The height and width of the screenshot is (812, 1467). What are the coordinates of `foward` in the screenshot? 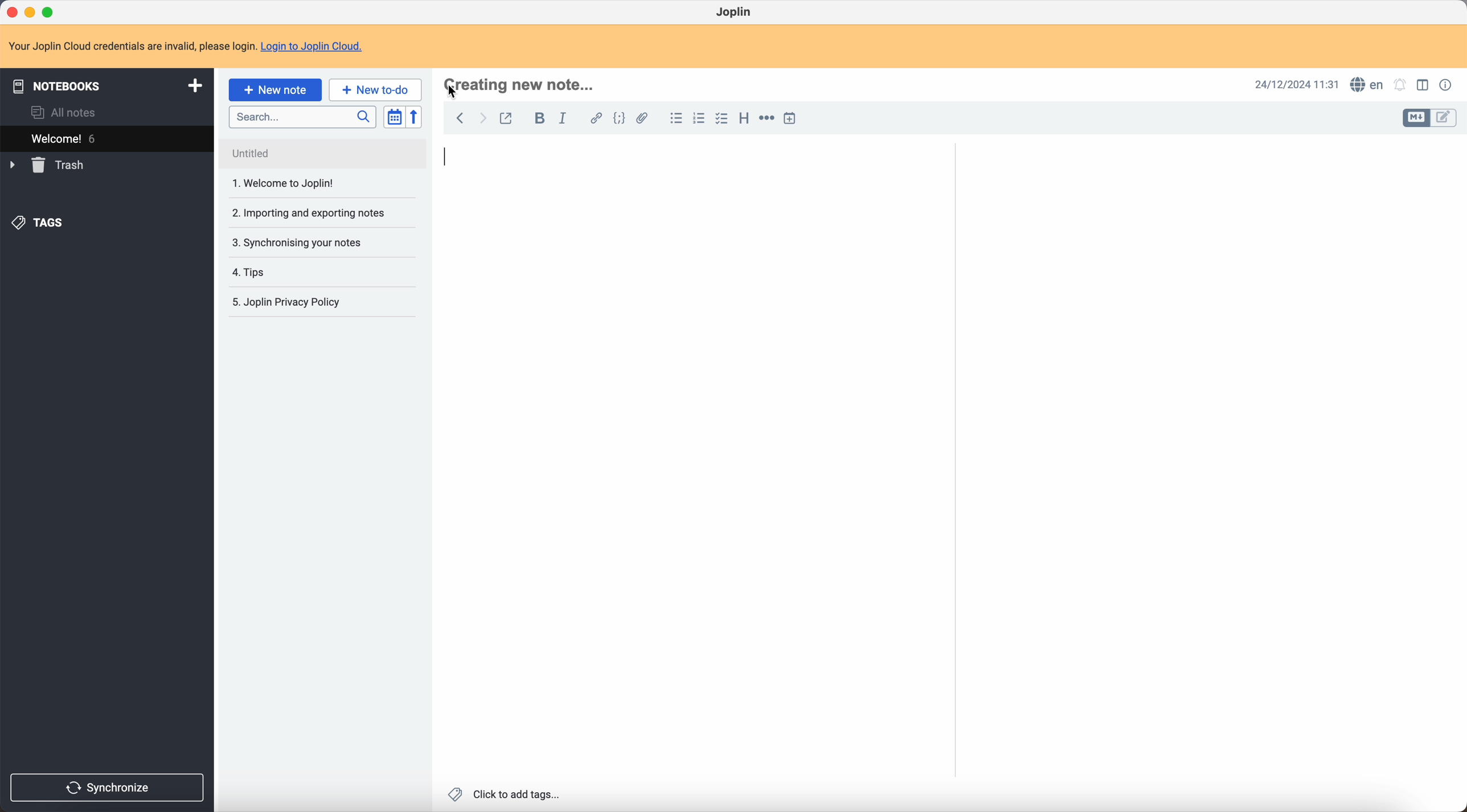 It's located at (483, 119).